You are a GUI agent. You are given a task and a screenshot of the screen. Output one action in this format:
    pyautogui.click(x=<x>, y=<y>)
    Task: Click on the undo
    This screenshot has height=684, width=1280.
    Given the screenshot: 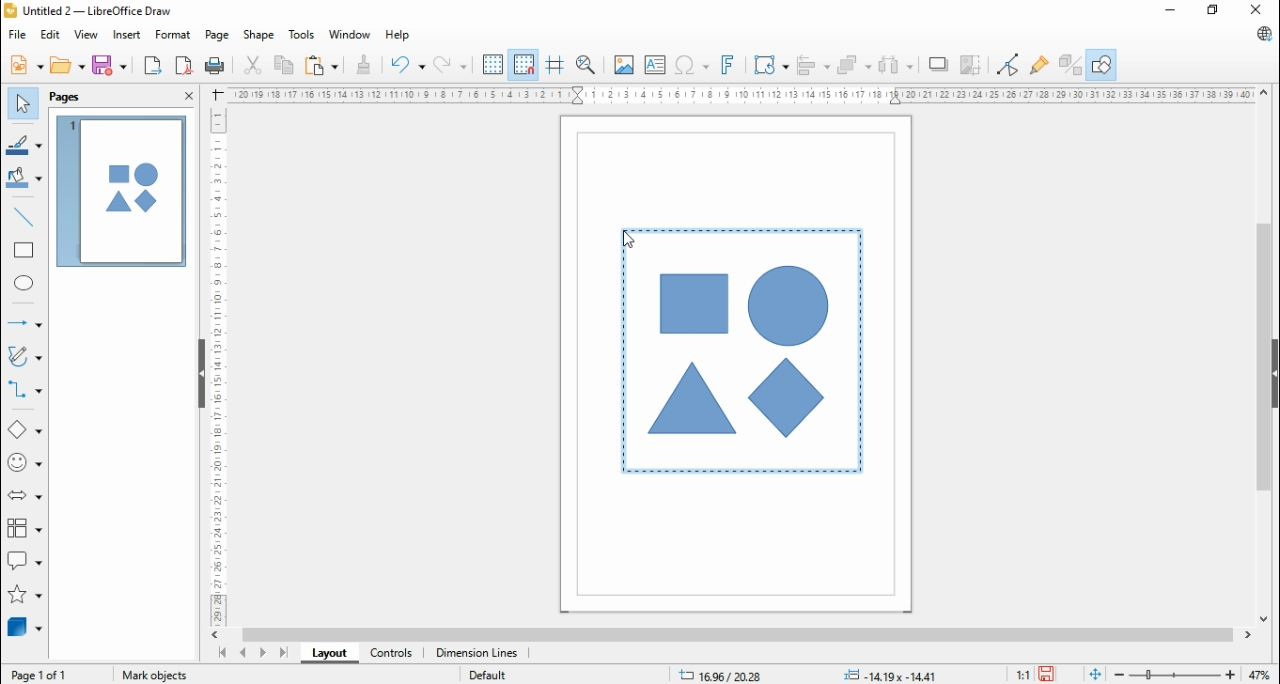 What is the action you would take?
    pyautogui.click(x=408, y=66)
    